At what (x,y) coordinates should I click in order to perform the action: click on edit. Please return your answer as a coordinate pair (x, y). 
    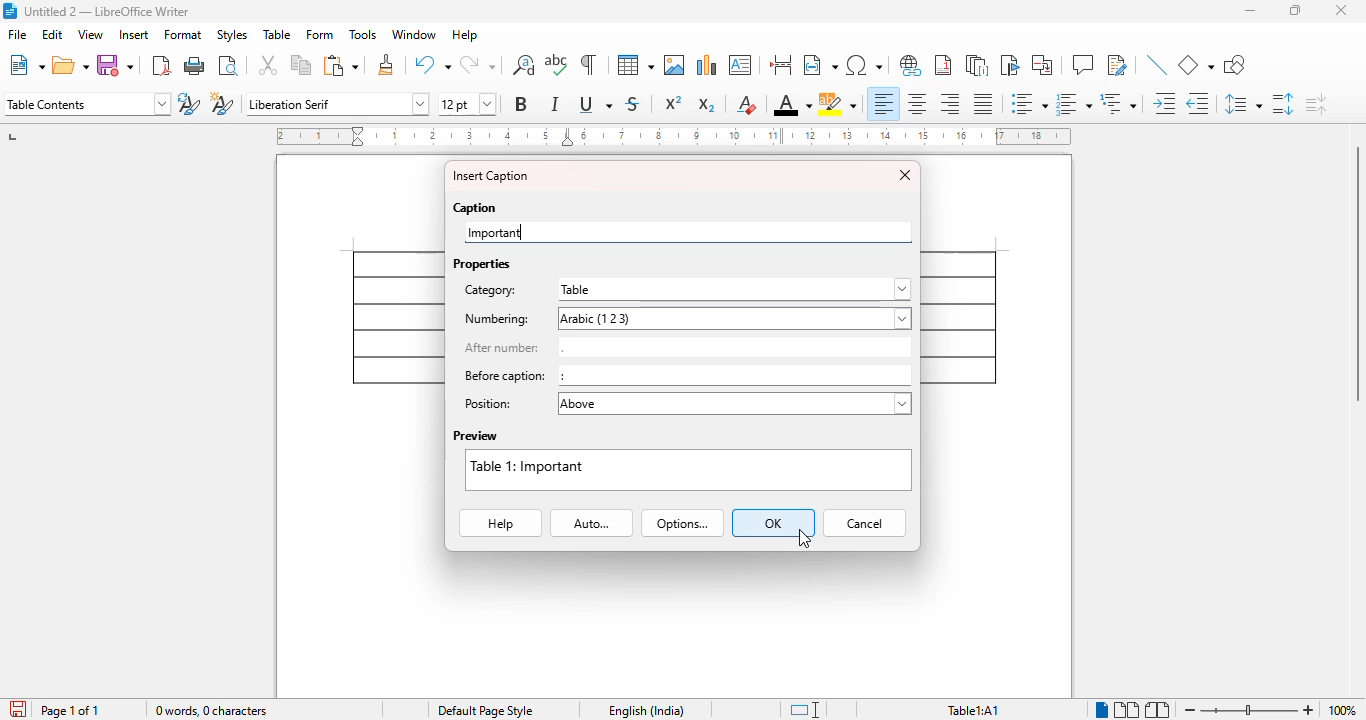
    Looking at the image, I should click on (54, 34).